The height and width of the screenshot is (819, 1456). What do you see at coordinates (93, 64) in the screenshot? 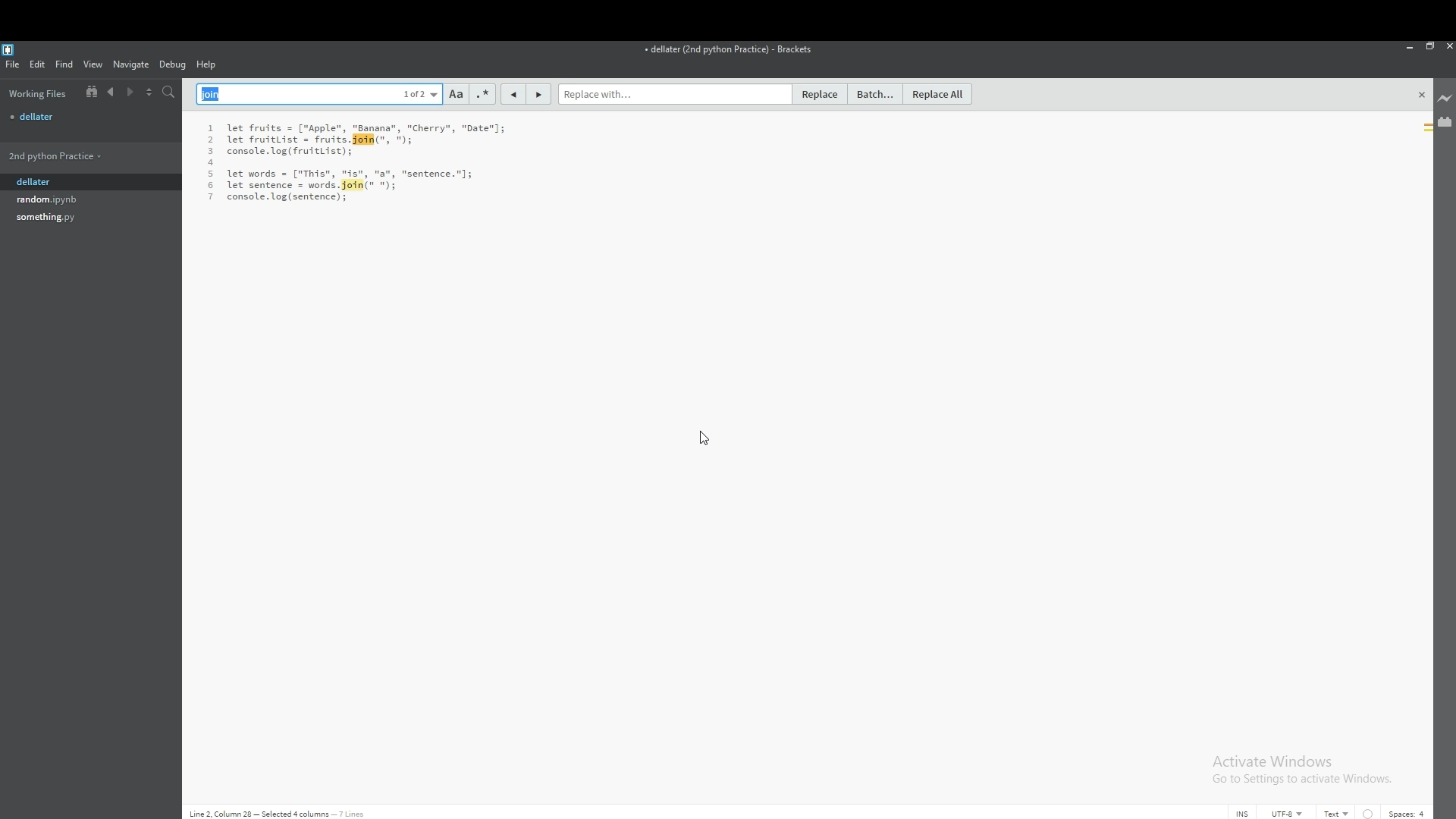
I see `view` at bounding box center [93, 64].